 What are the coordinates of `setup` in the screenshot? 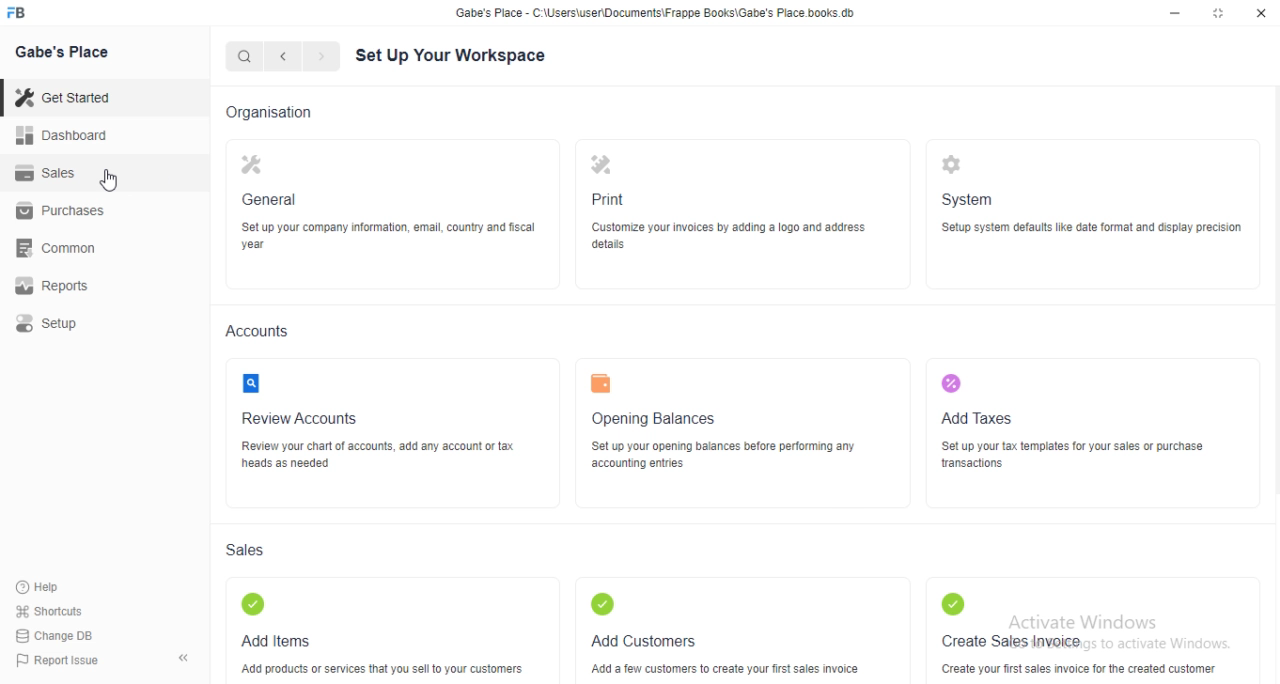 It's located at (47, 323).